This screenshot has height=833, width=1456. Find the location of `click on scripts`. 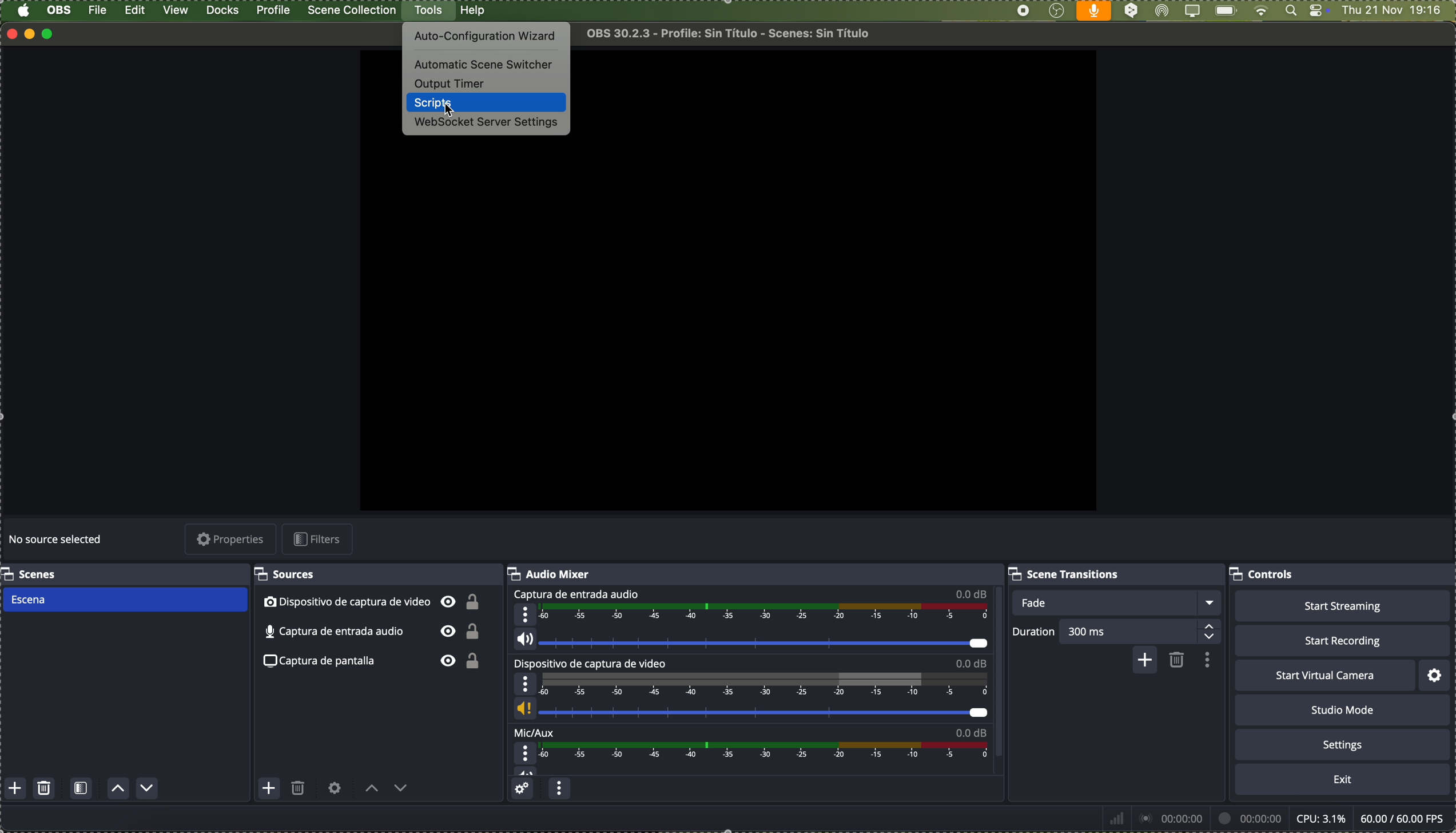

click on scripts is located at coordinates (487, 102).